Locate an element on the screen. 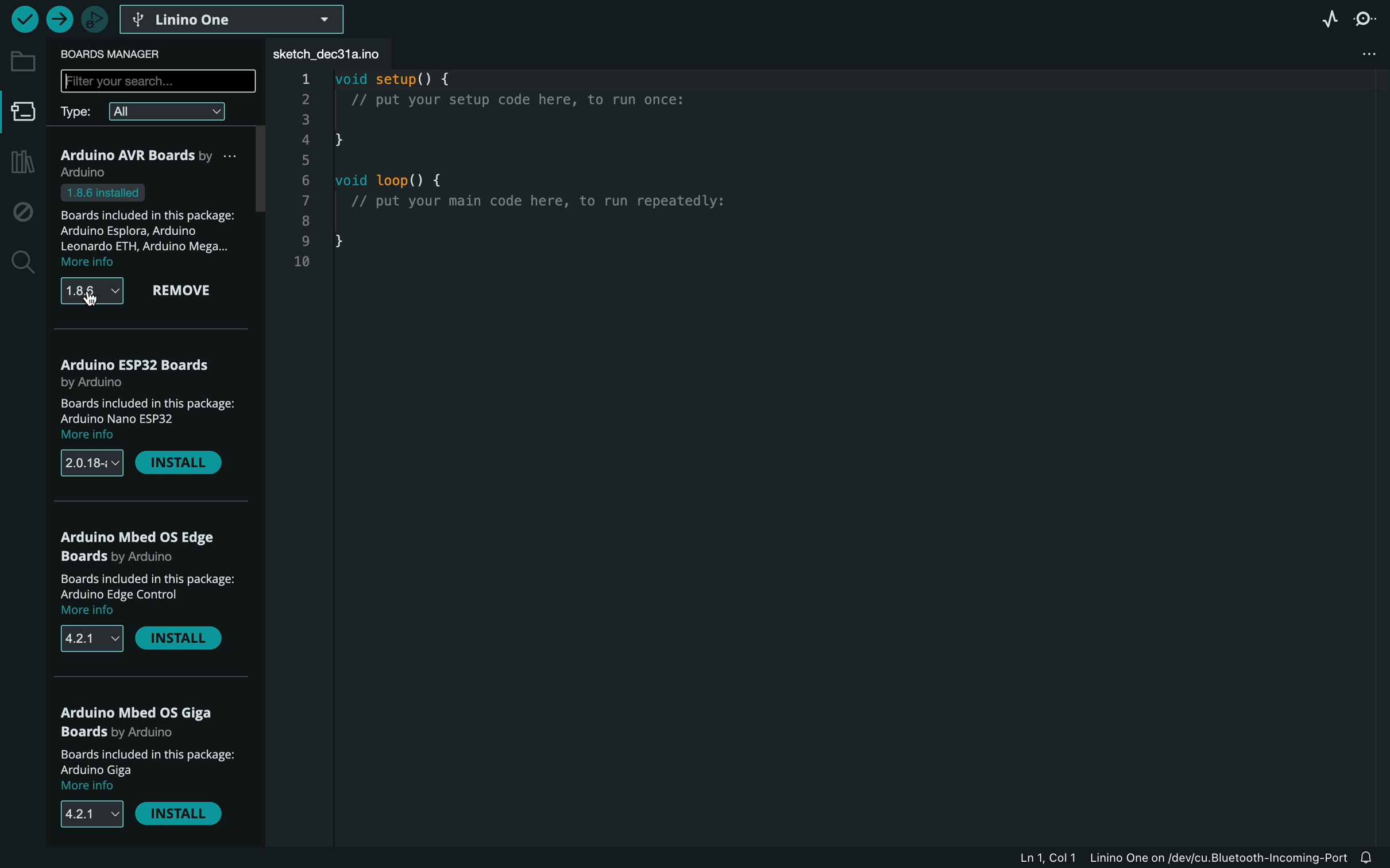 Image resolution: width=1390 pixels, height=868 pixels. serial monitor is located at coordinates (1369, 18).